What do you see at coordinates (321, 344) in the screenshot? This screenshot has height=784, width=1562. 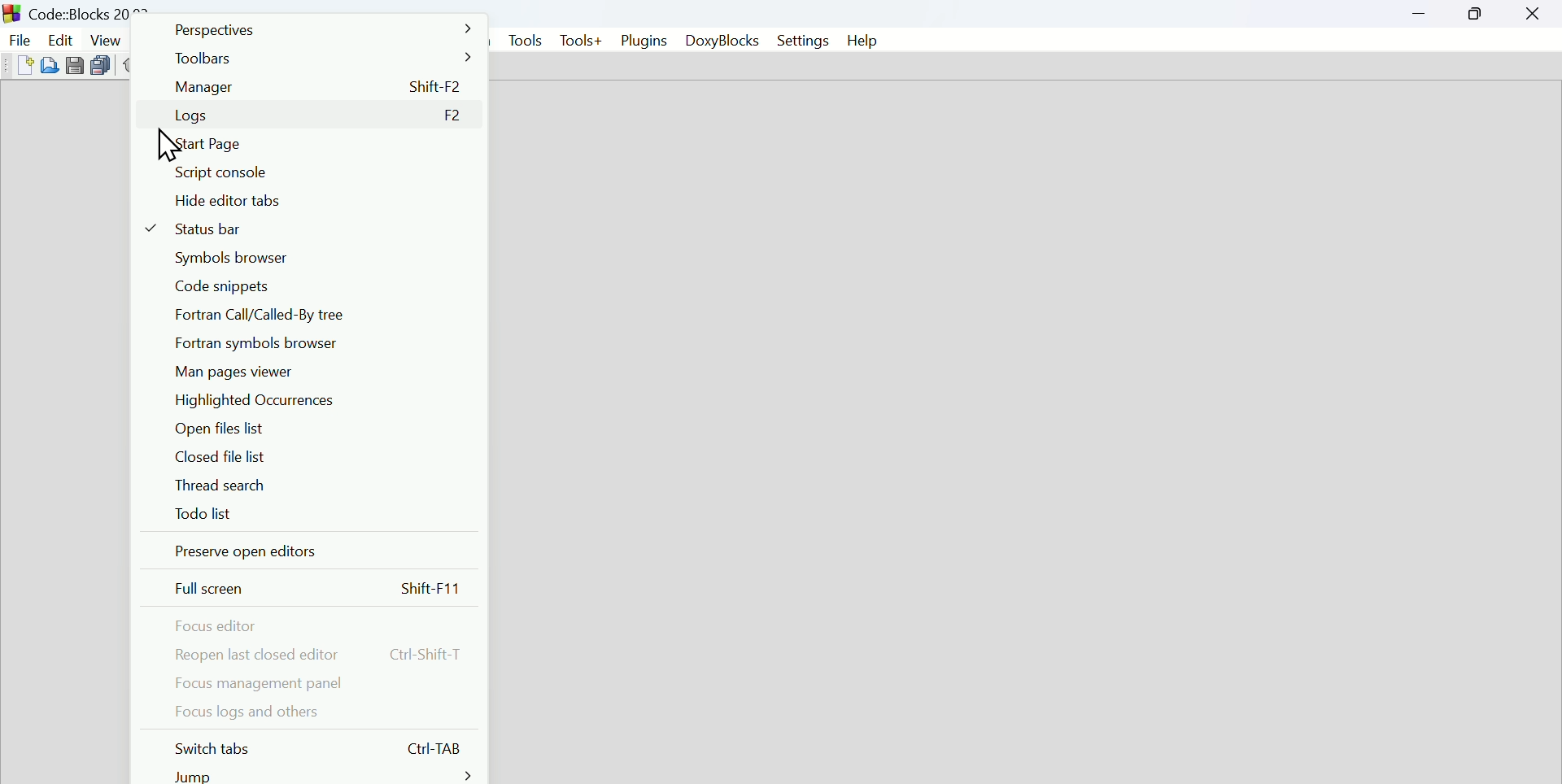 I see `Fortrans symbol browser` at bounding box center [321, 344].